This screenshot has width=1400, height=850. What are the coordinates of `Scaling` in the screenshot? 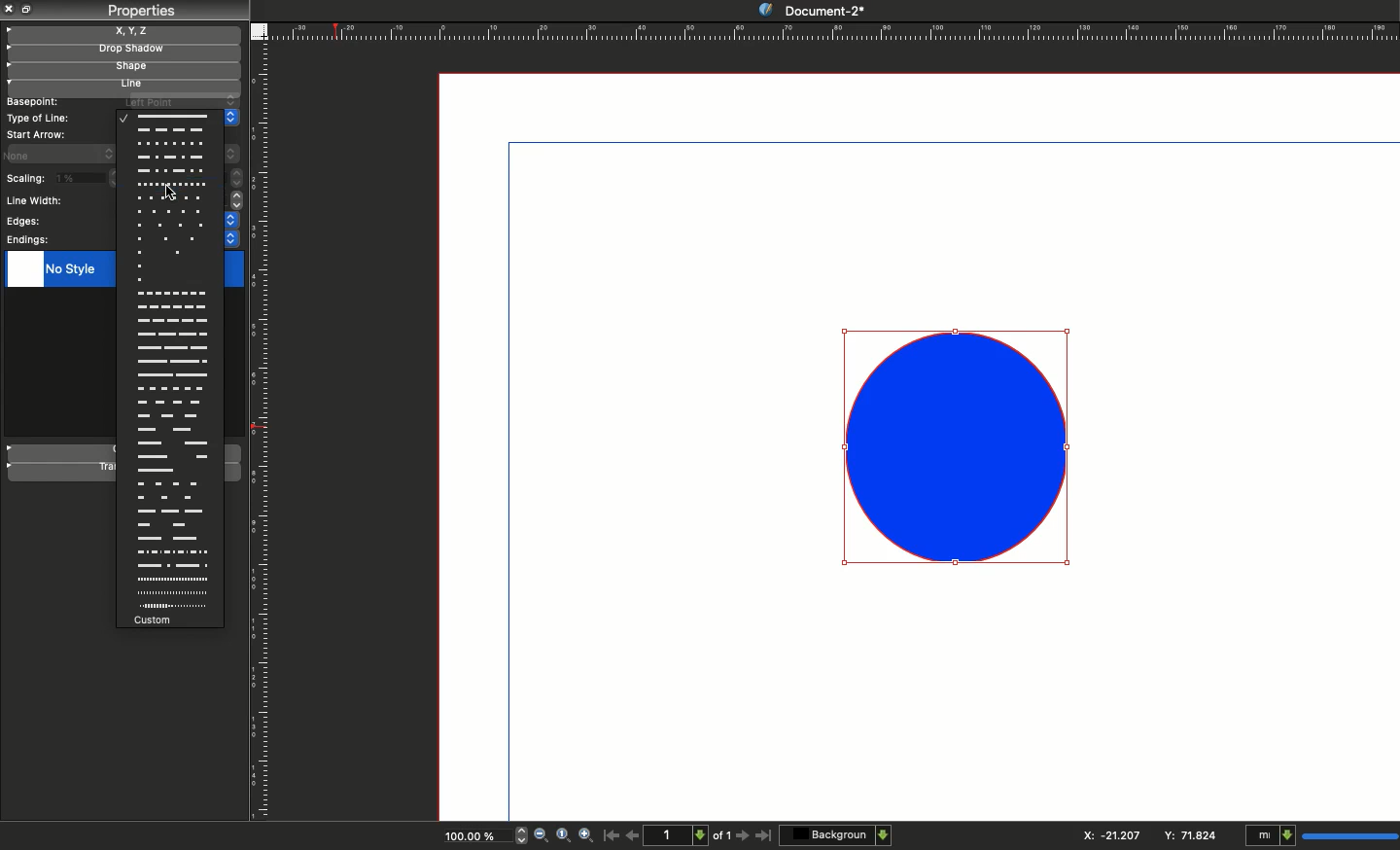 It's located at (25, 180).